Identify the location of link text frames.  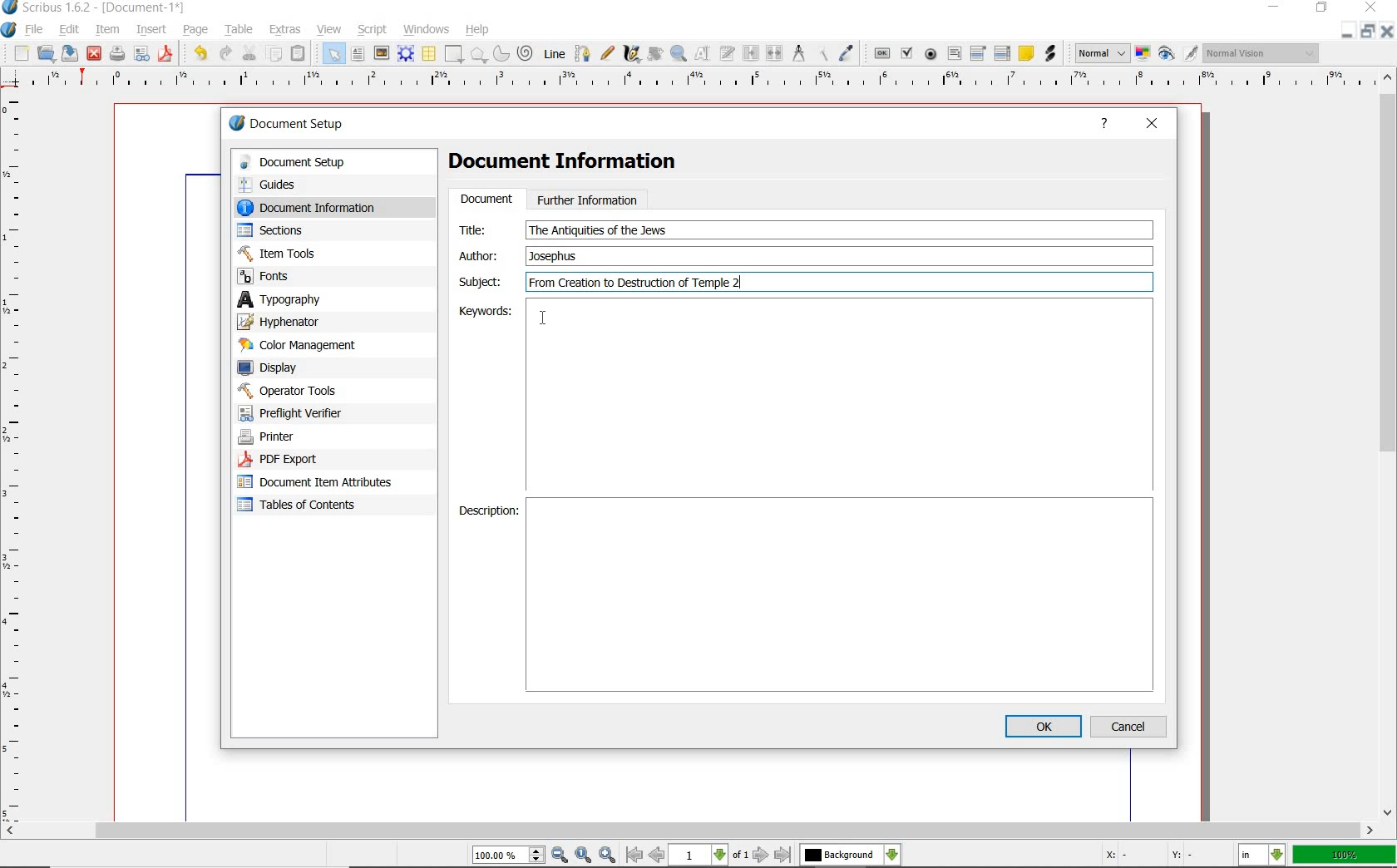
(751, 54).